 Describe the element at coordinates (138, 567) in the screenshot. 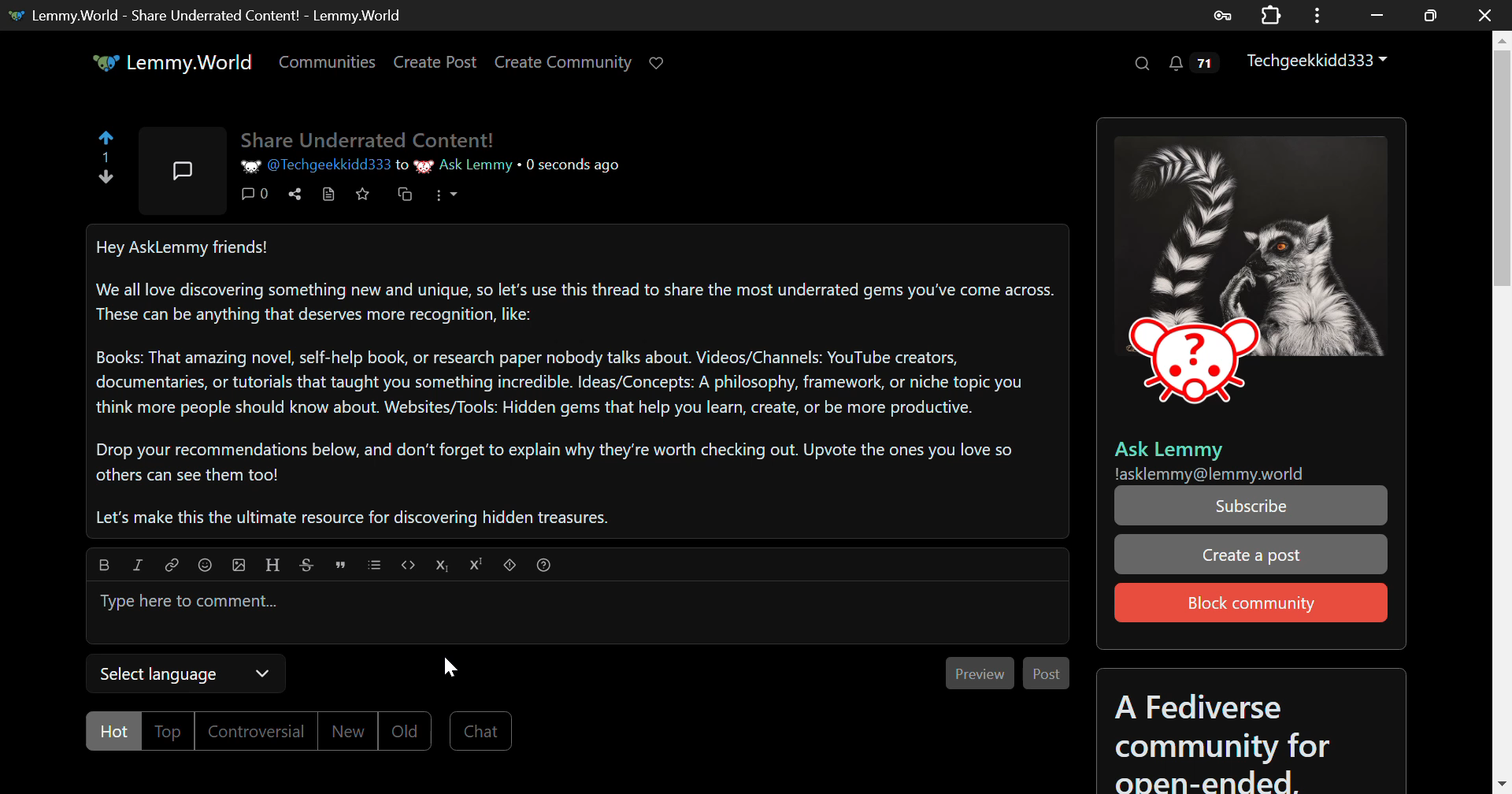

I see `Italic` at that location.